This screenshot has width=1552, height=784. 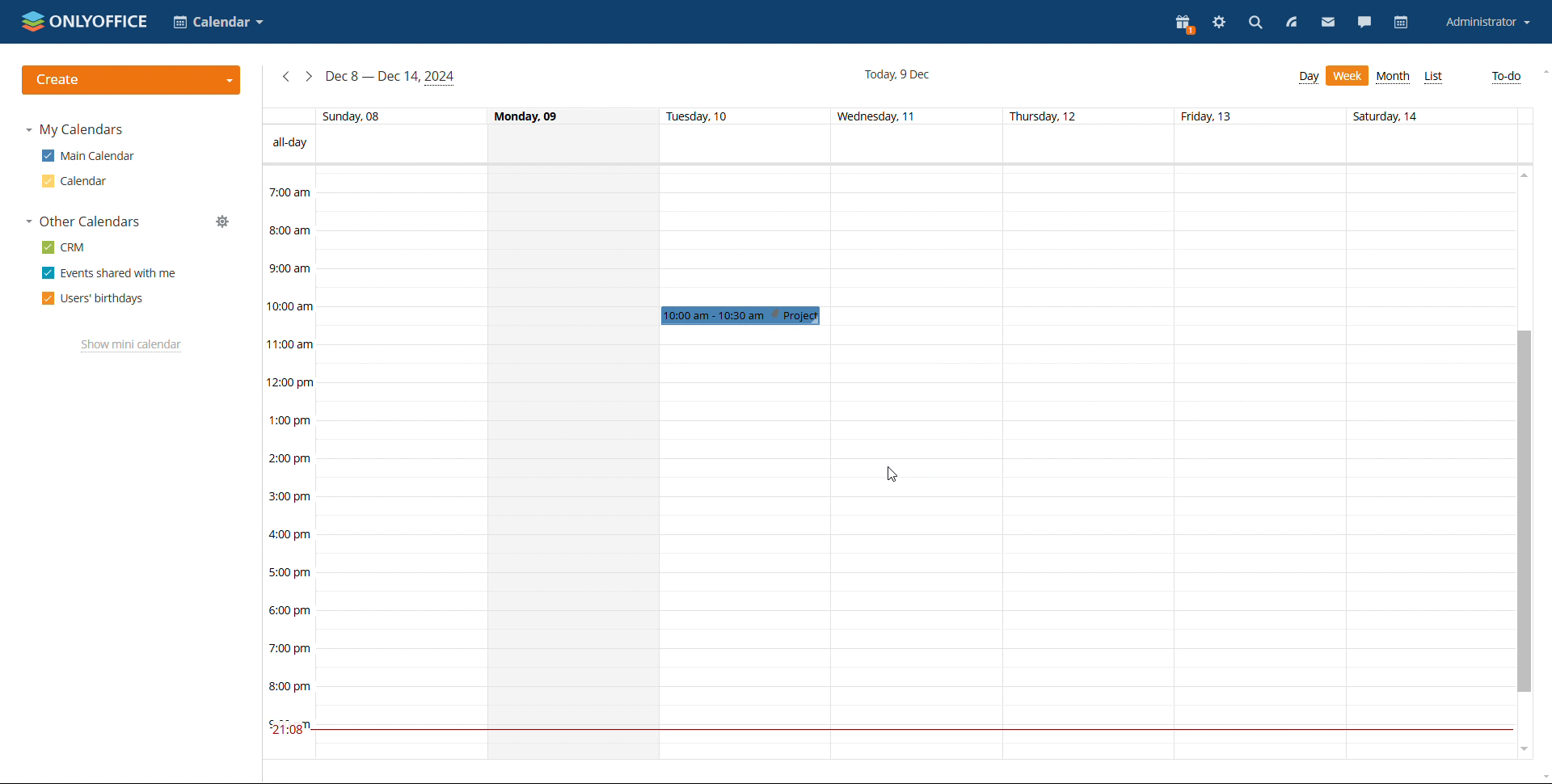 I want to click on create, so click(x=133, y=80).